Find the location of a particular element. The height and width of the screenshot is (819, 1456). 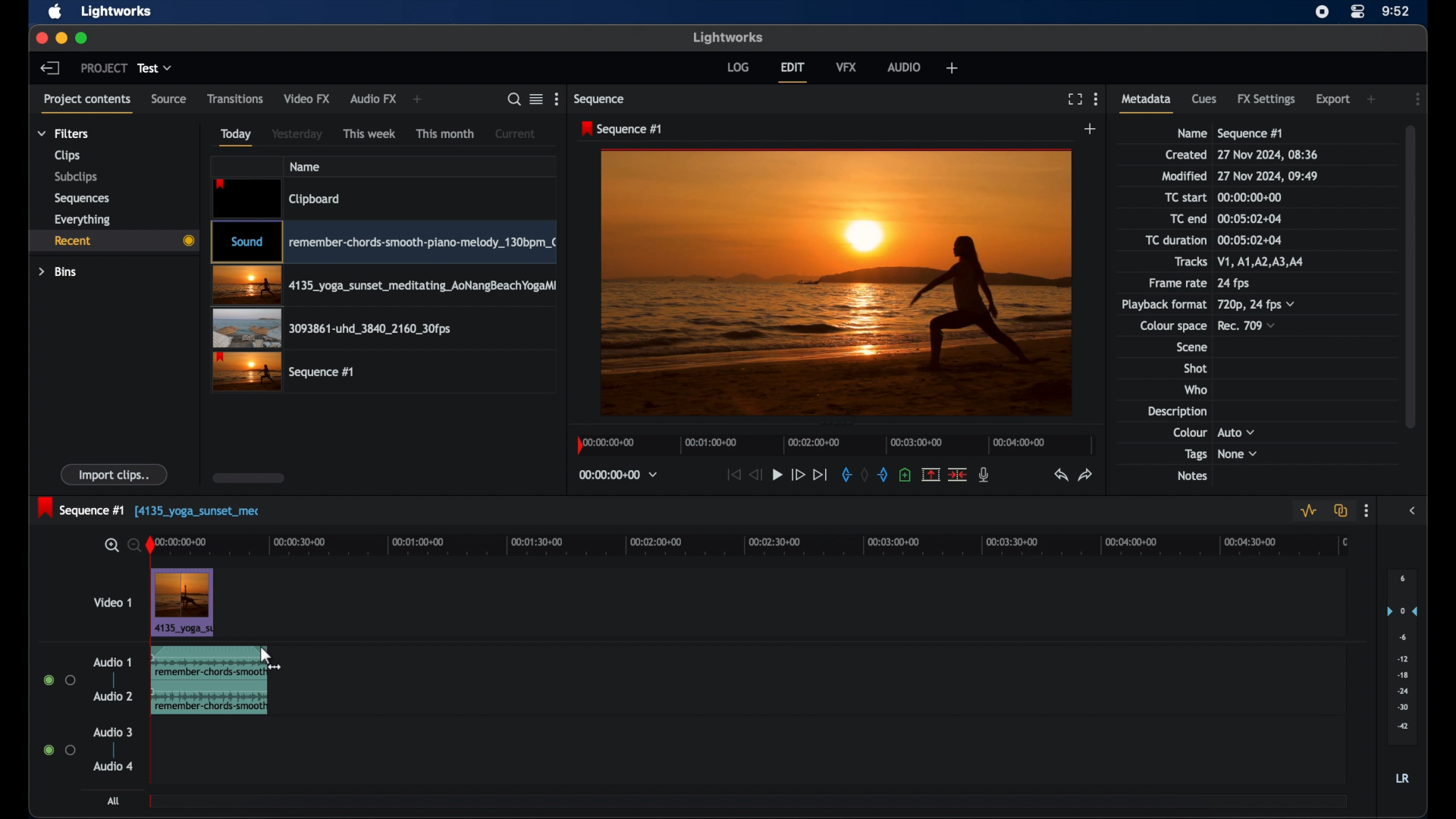

google list or tile view is located at coordinates (537, 99).